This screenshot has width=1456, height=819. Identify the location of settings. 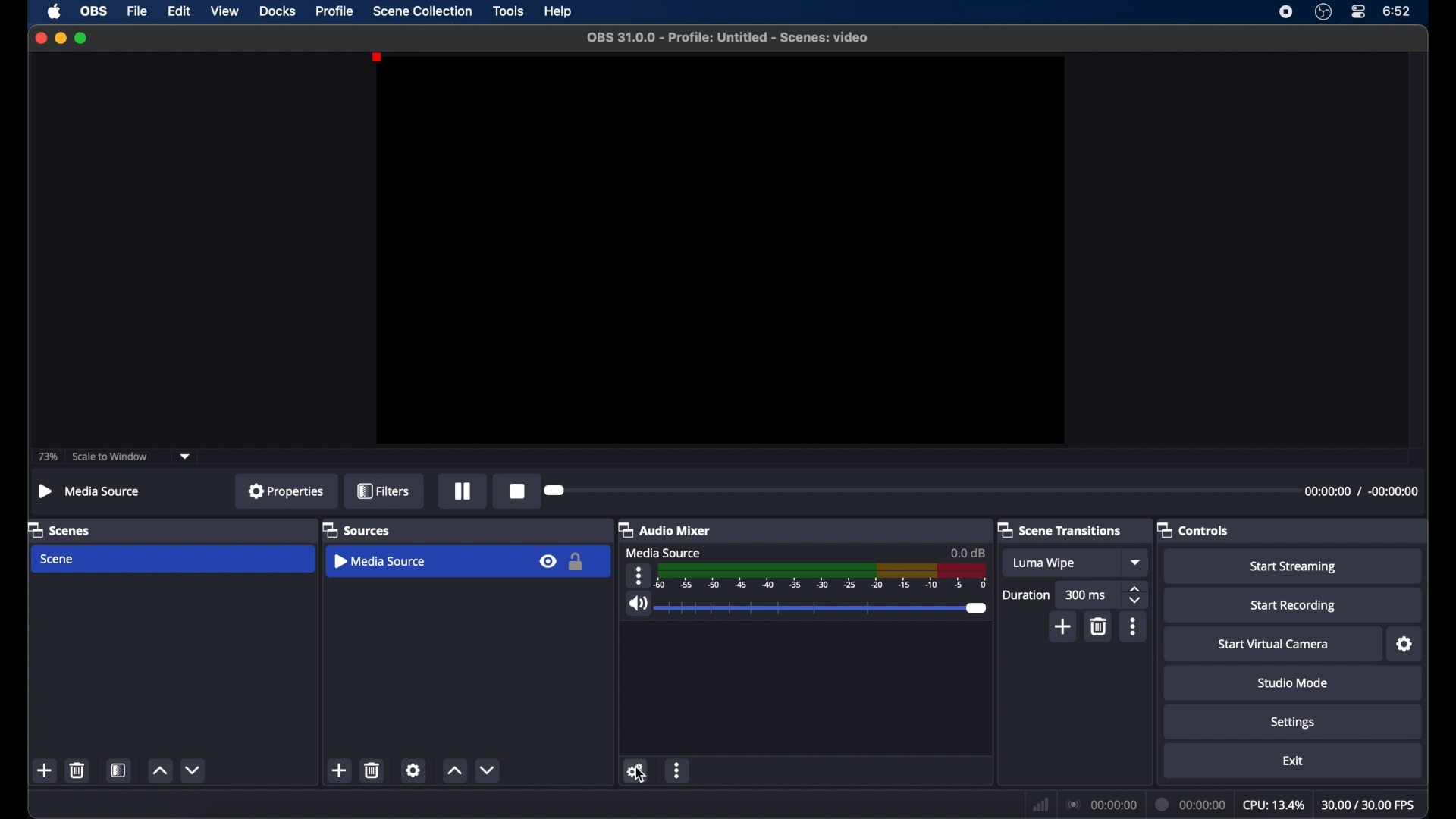
(413, 770).